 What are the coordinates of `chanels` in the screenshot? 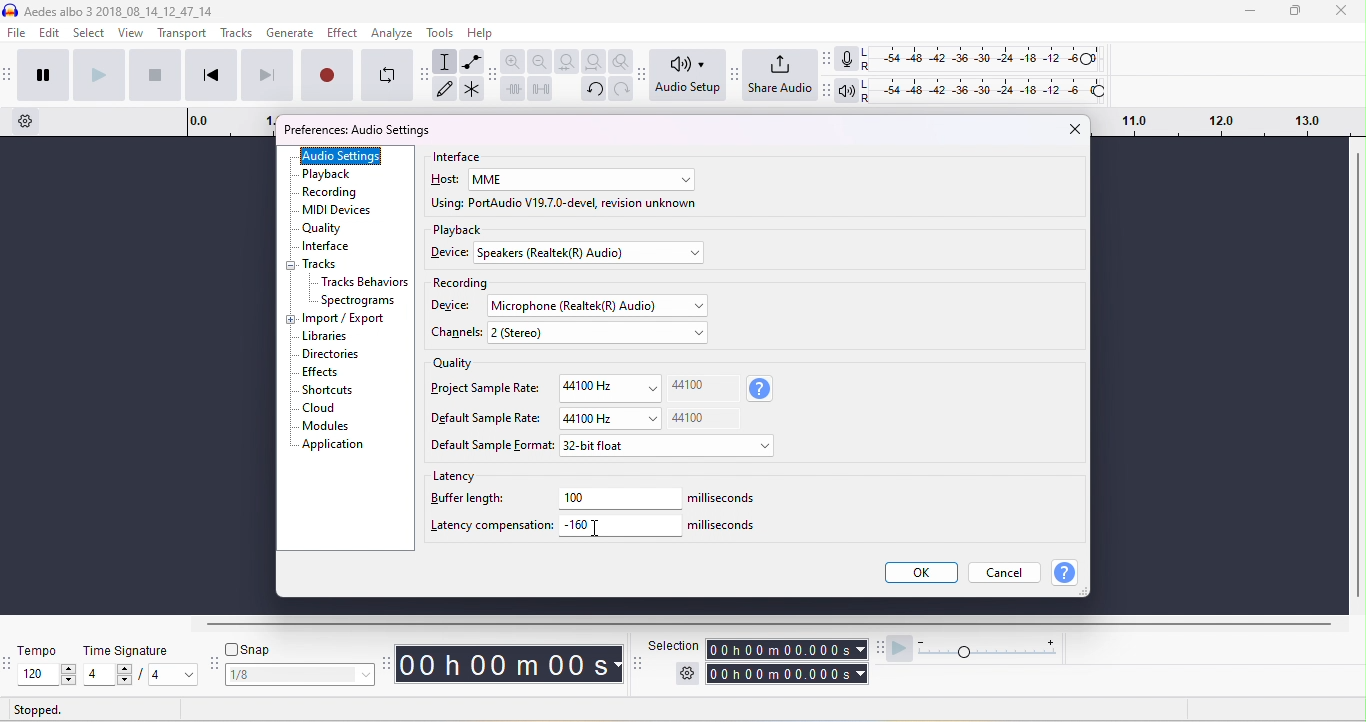 It's located at (459, 333).